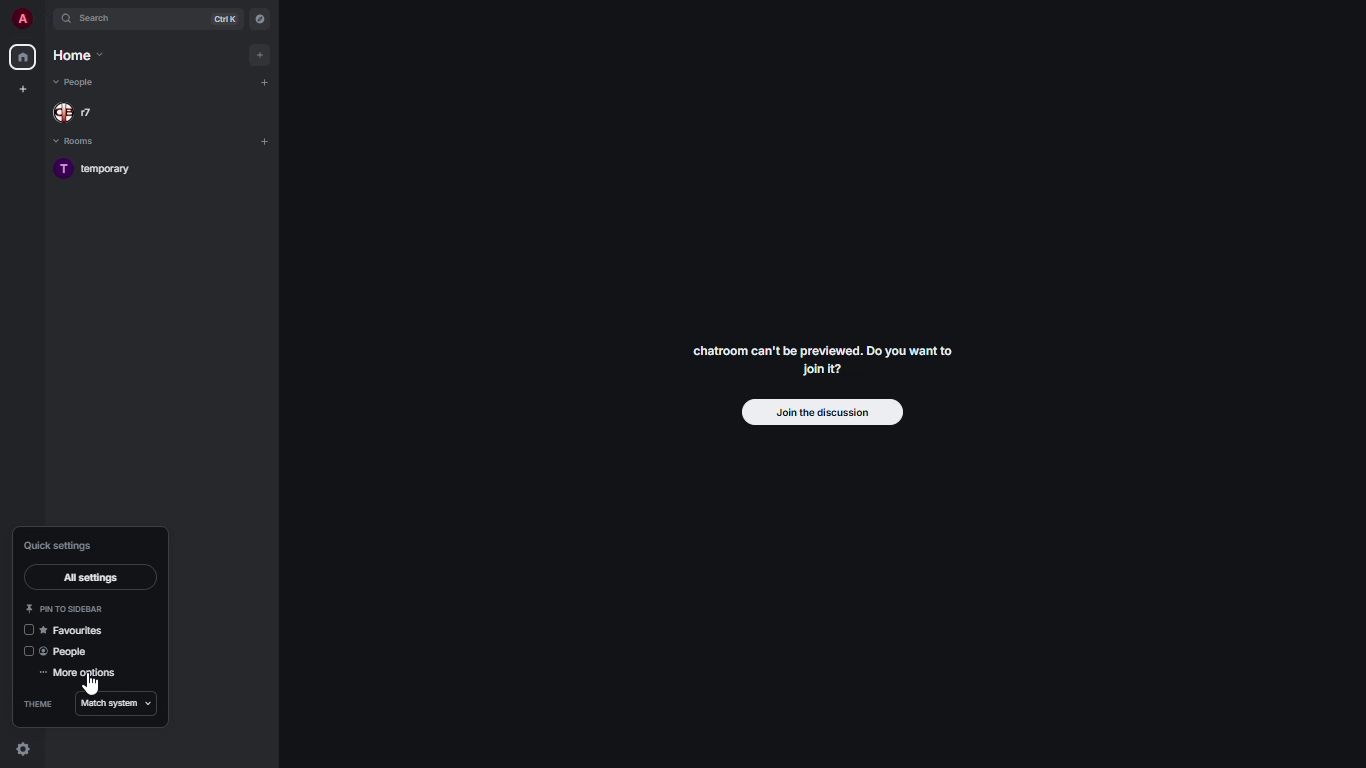 This screenshot has height=768, width=1366. I want to click on theme, so click(39, 704).